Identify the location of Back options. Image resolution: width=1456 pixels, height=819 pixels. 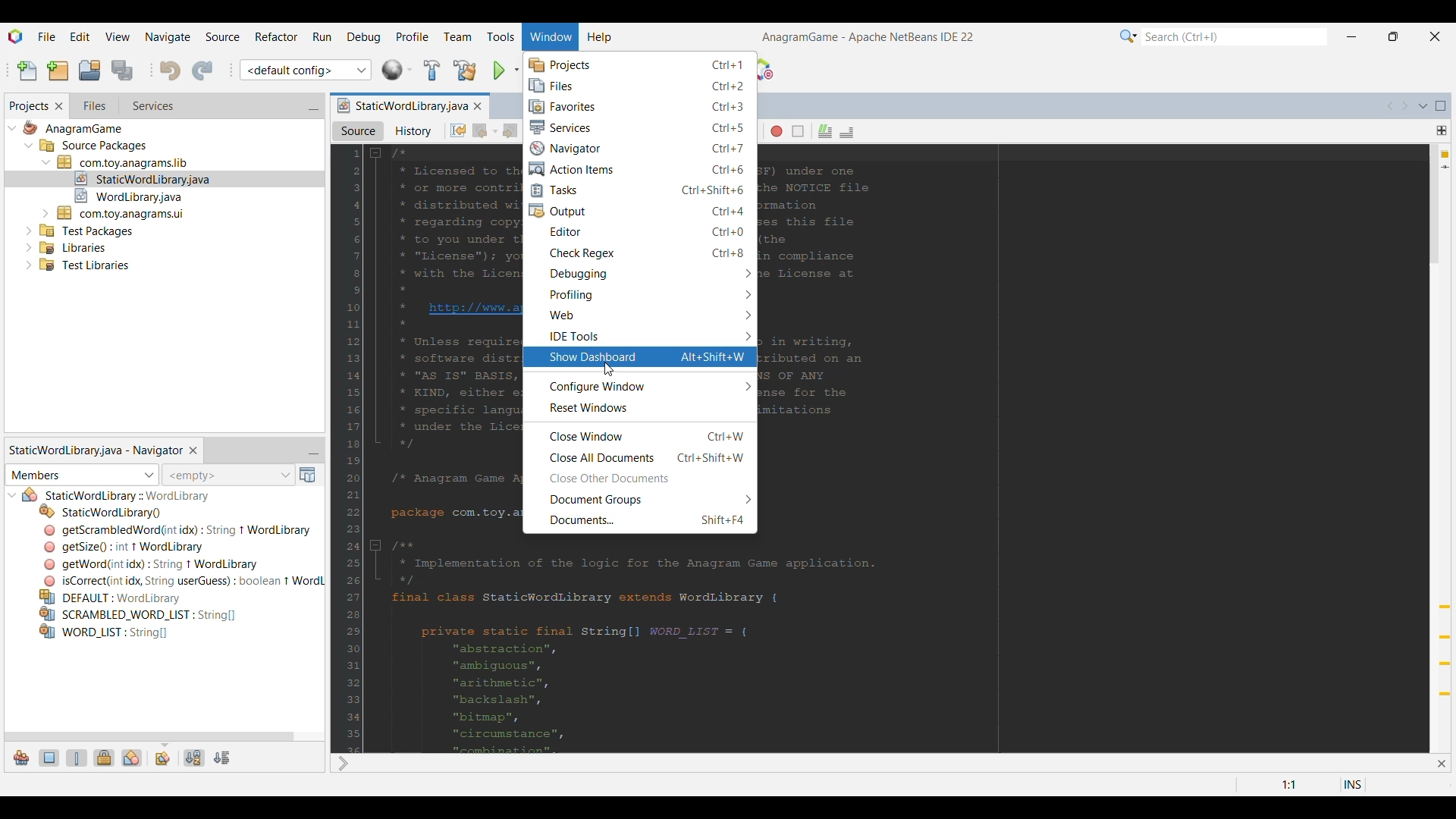
(494, 132).